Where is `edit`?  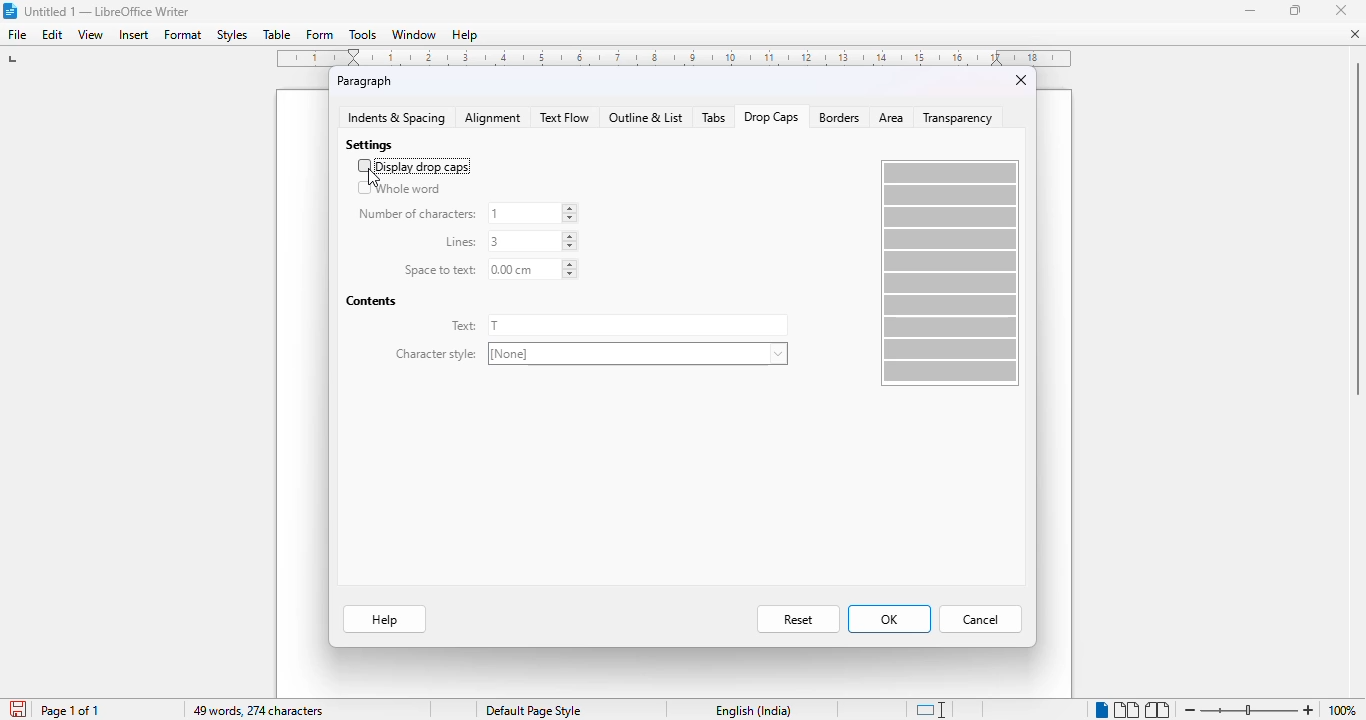 edit is located at coordinates (52, 34).